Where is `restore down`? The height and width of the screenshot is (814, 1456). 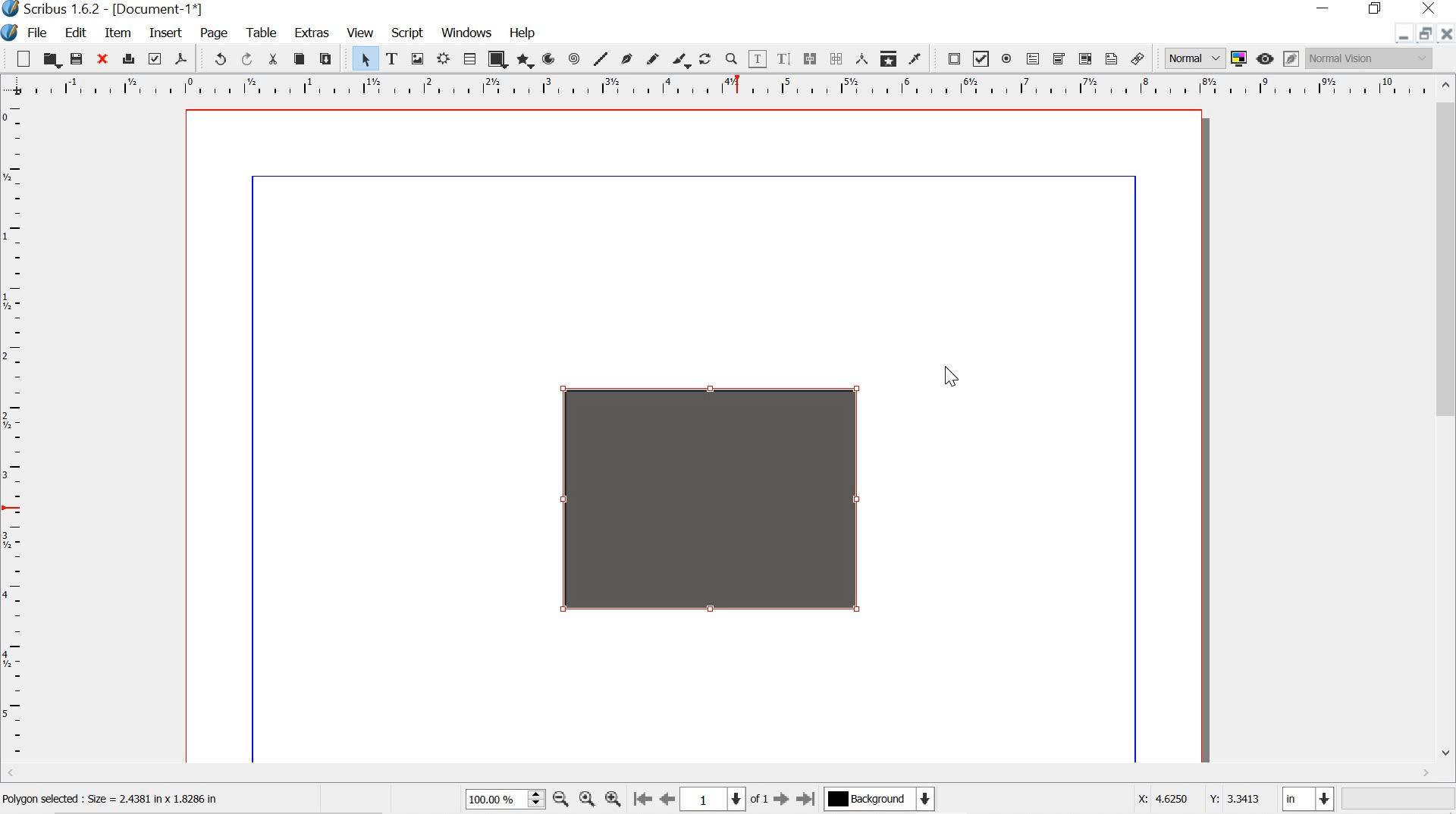
restore down is located at coordinates (1377, 9).